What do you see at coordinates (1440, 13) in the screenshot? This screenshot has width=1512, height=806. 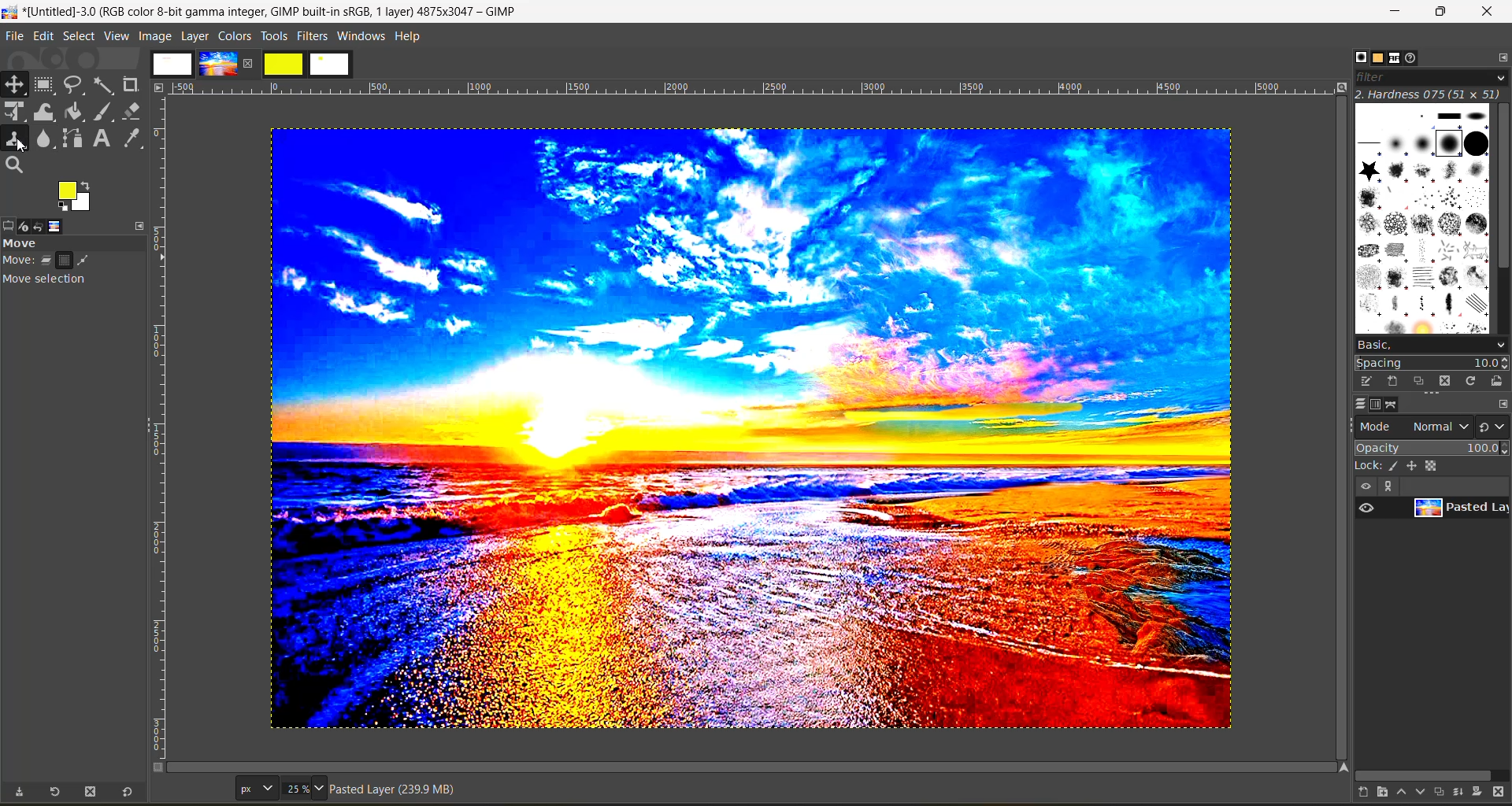 I see `maximize` at bounding box center [1440, 13].